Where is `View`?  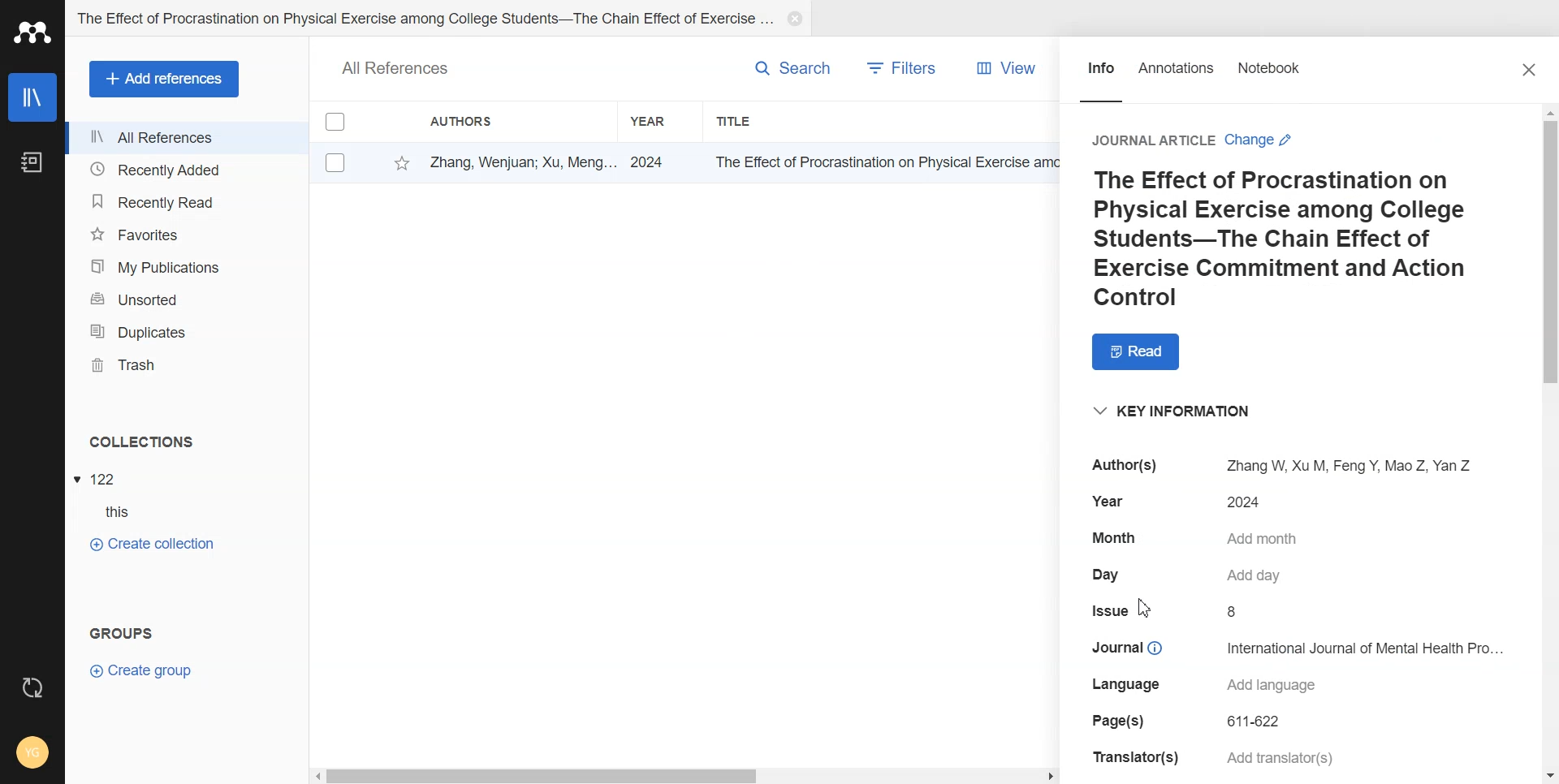
View is located at coordinates (1003, 67).